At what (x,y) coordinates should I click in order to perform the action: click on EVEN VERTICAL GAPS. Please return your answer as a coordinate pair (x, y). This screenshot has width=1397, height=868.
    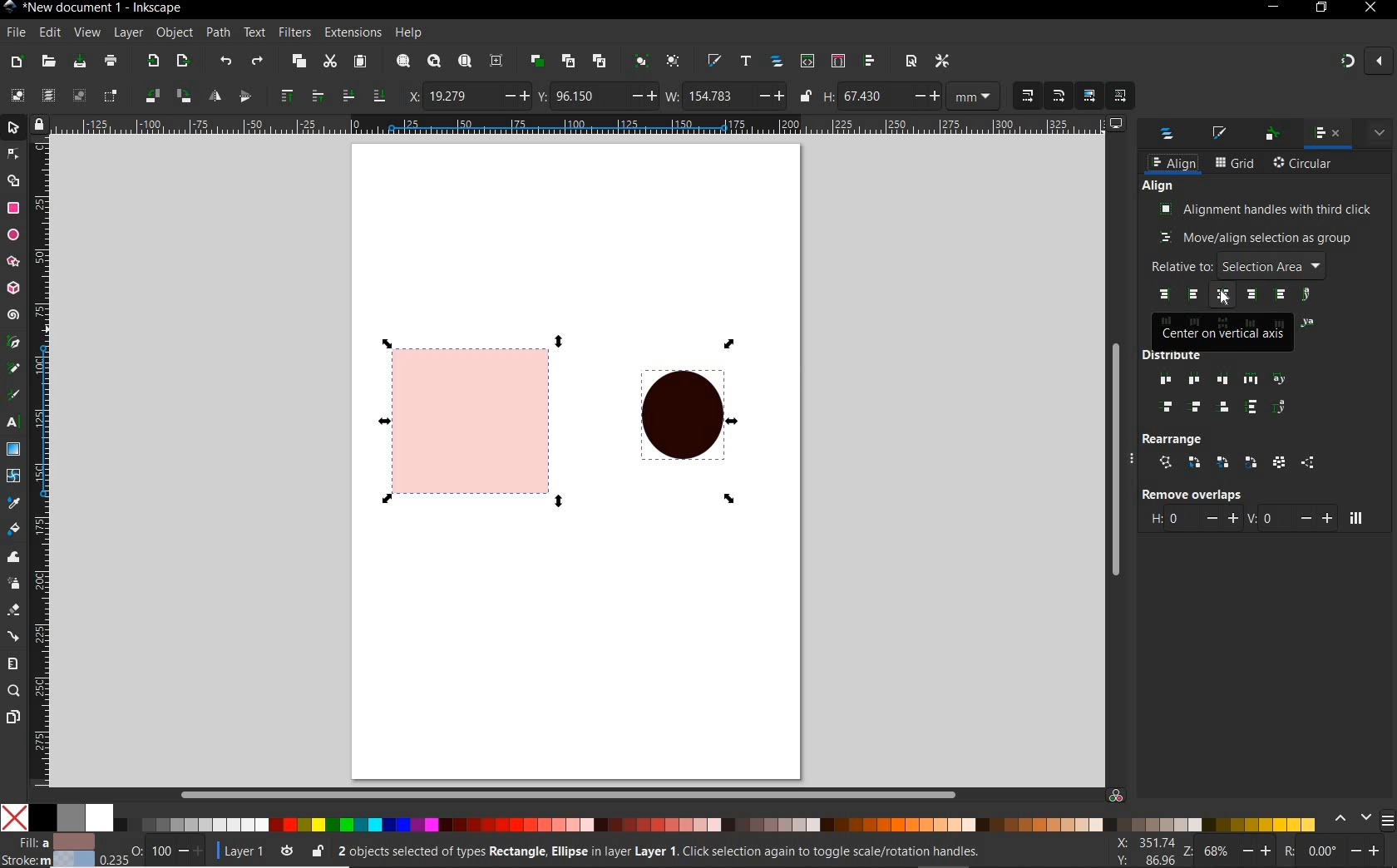
    Looking at the image, I should click on (1252, 407).